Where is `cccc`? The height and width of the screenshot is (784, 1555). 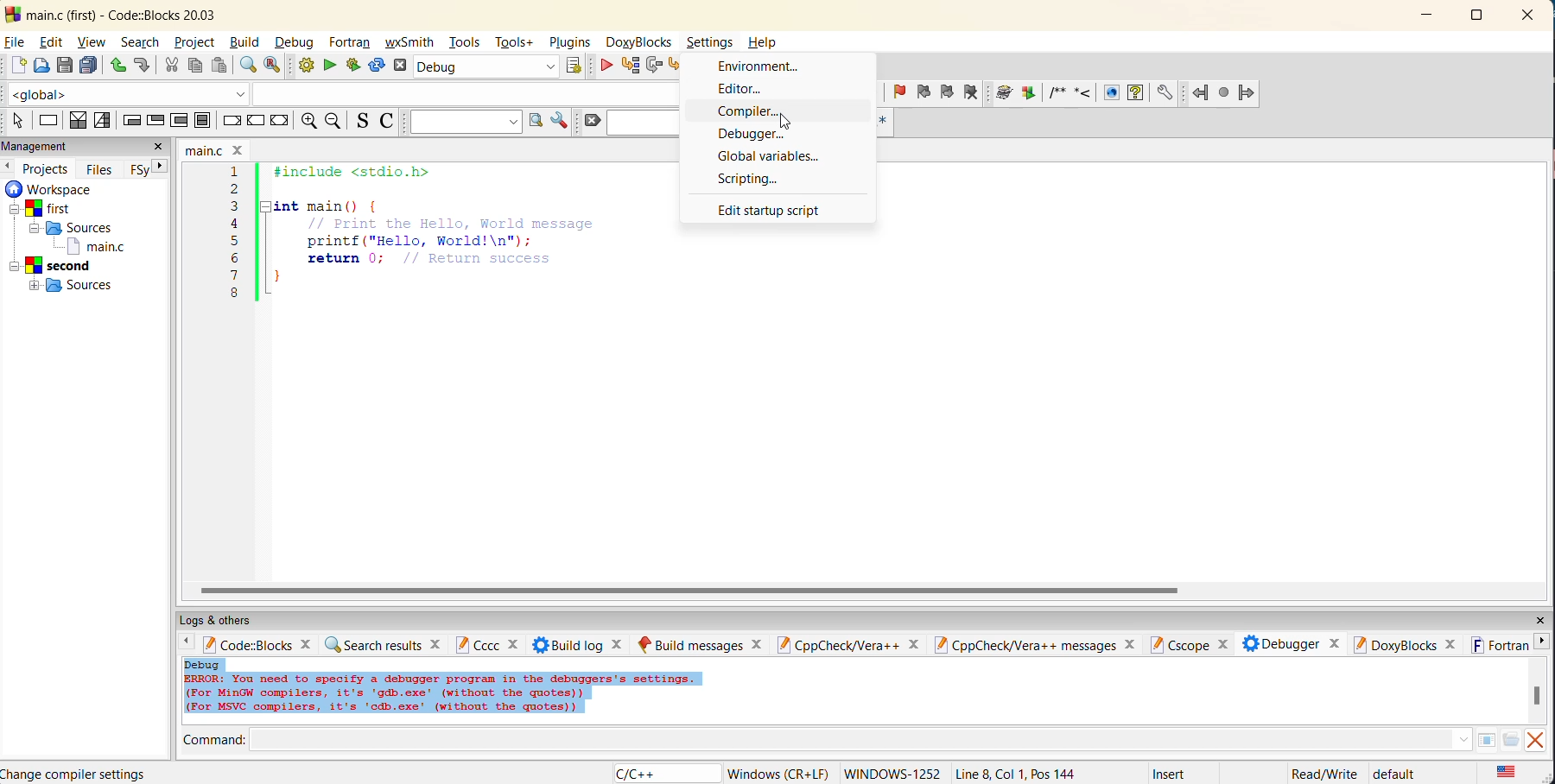 cccc is located at coordinates (488, 644).